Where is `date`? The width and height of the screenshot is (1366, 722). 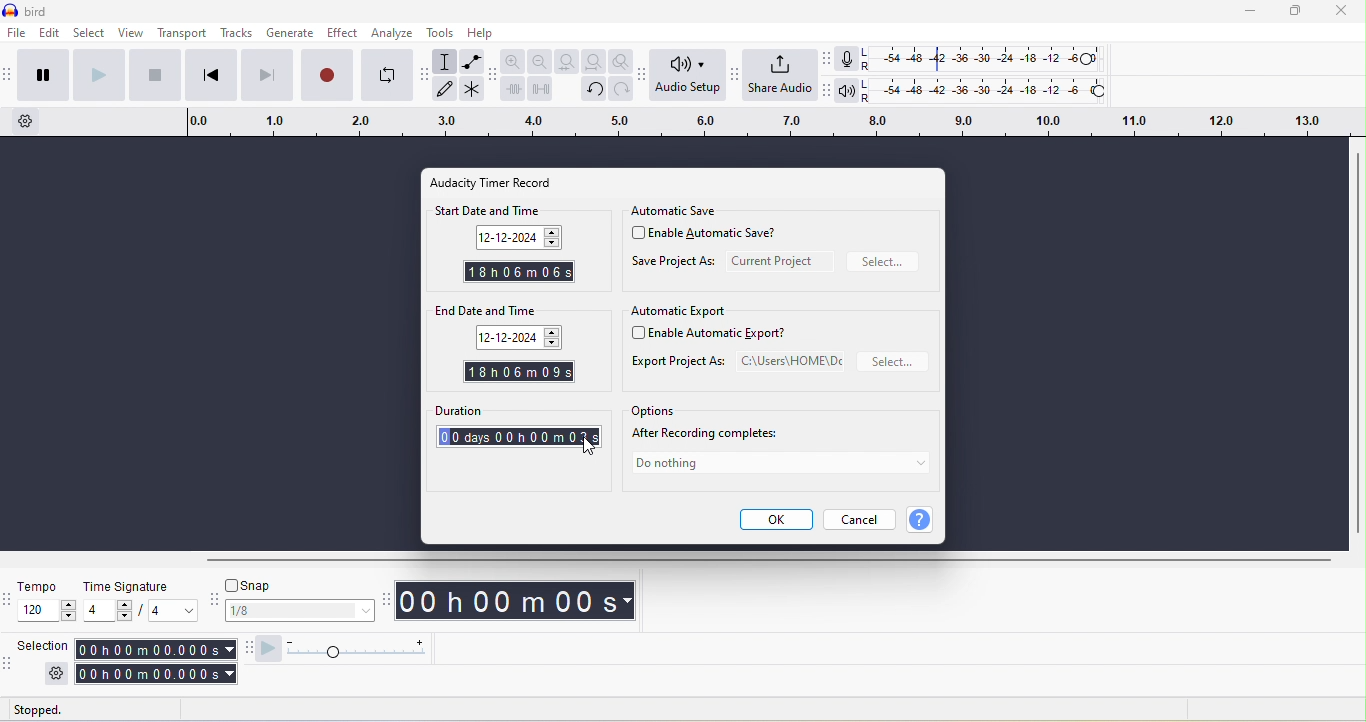 date is located at coordinates (522, 339).